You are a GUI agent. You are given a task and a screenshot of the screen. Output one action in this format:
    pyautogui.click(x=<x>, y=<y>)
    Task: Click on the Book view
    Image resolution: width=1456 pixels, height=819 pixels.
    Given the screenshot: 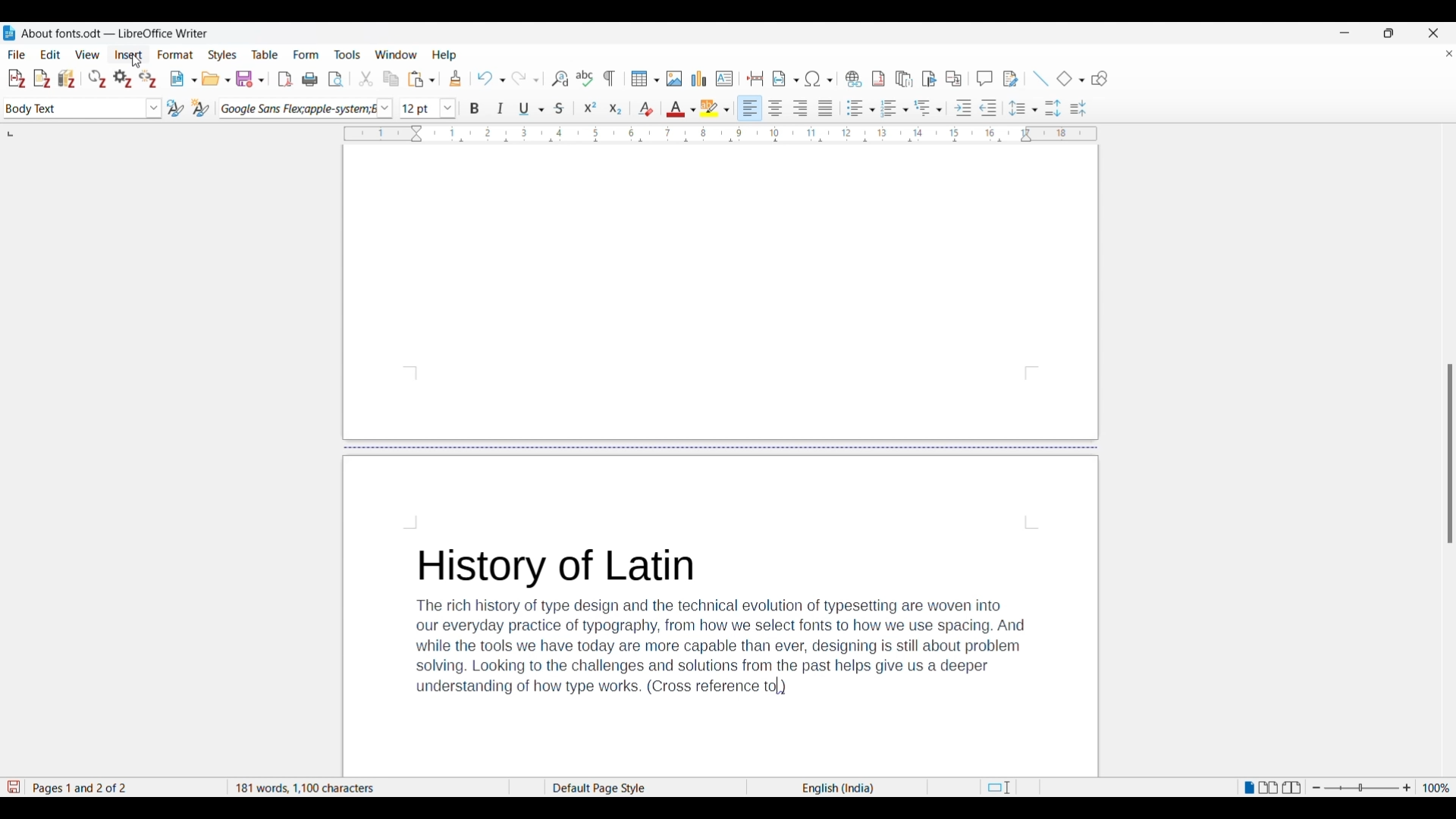 What is the action you would take?
    pyautogui.click(x=1292, y=787)
    